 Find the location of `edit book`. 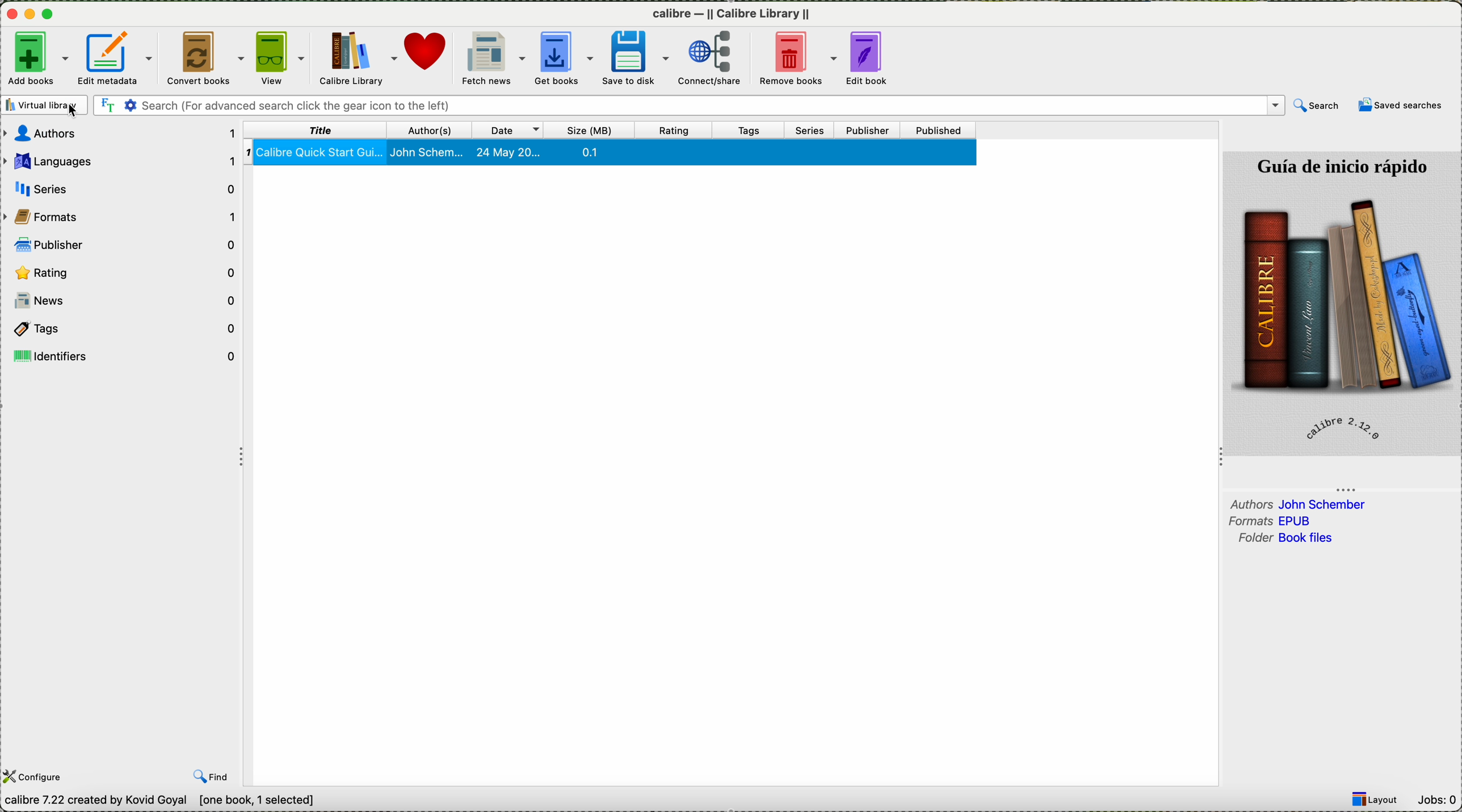

edit book is located at coordinates (875, 58).